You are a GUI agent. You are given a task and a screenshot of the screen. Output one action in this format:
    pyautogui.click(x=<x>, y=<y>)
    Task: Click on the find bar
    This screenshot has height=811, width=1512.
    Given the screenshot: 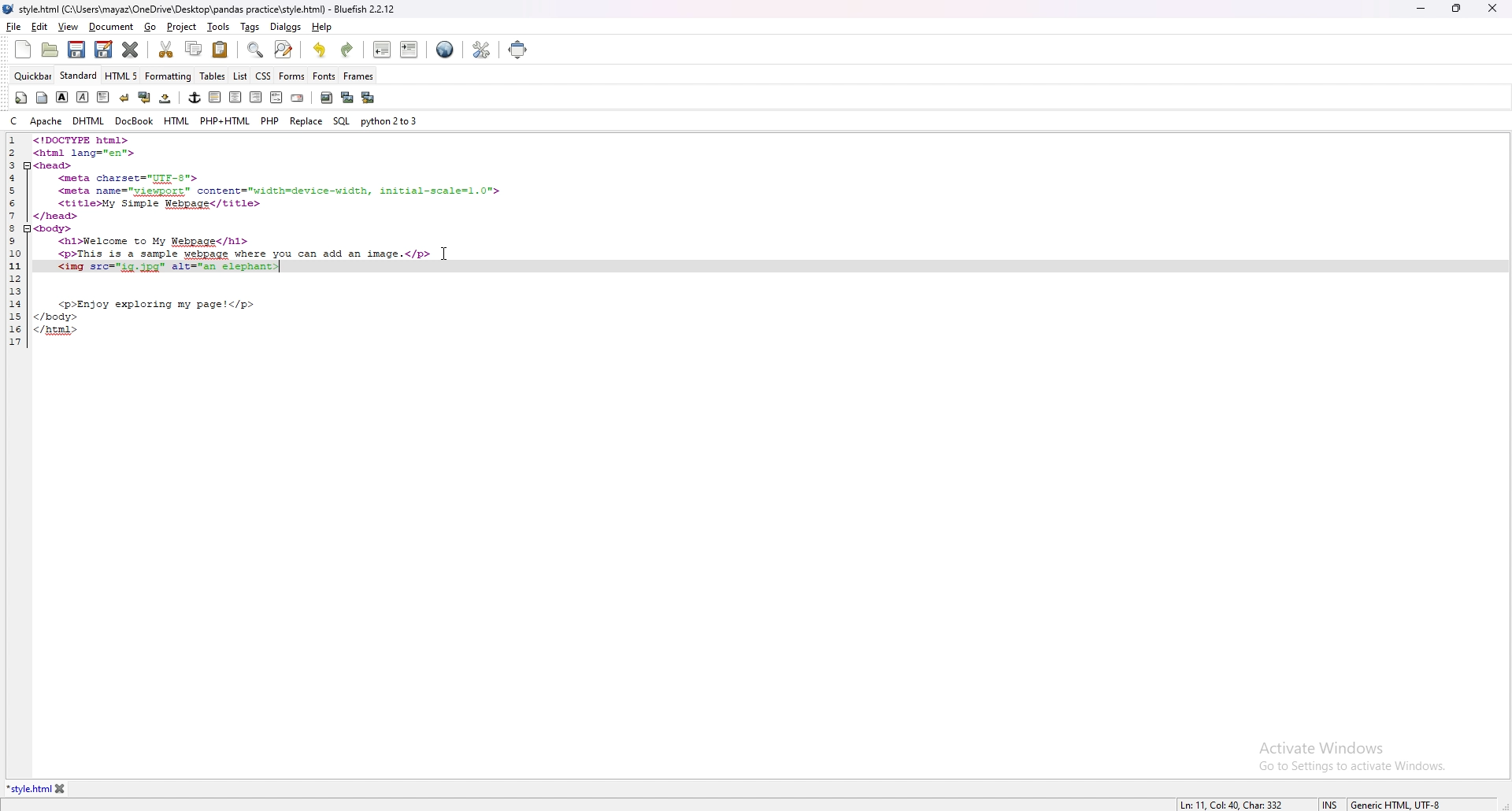 What is the action you would take?
    pyautogui.click(x=256, y=50)
    